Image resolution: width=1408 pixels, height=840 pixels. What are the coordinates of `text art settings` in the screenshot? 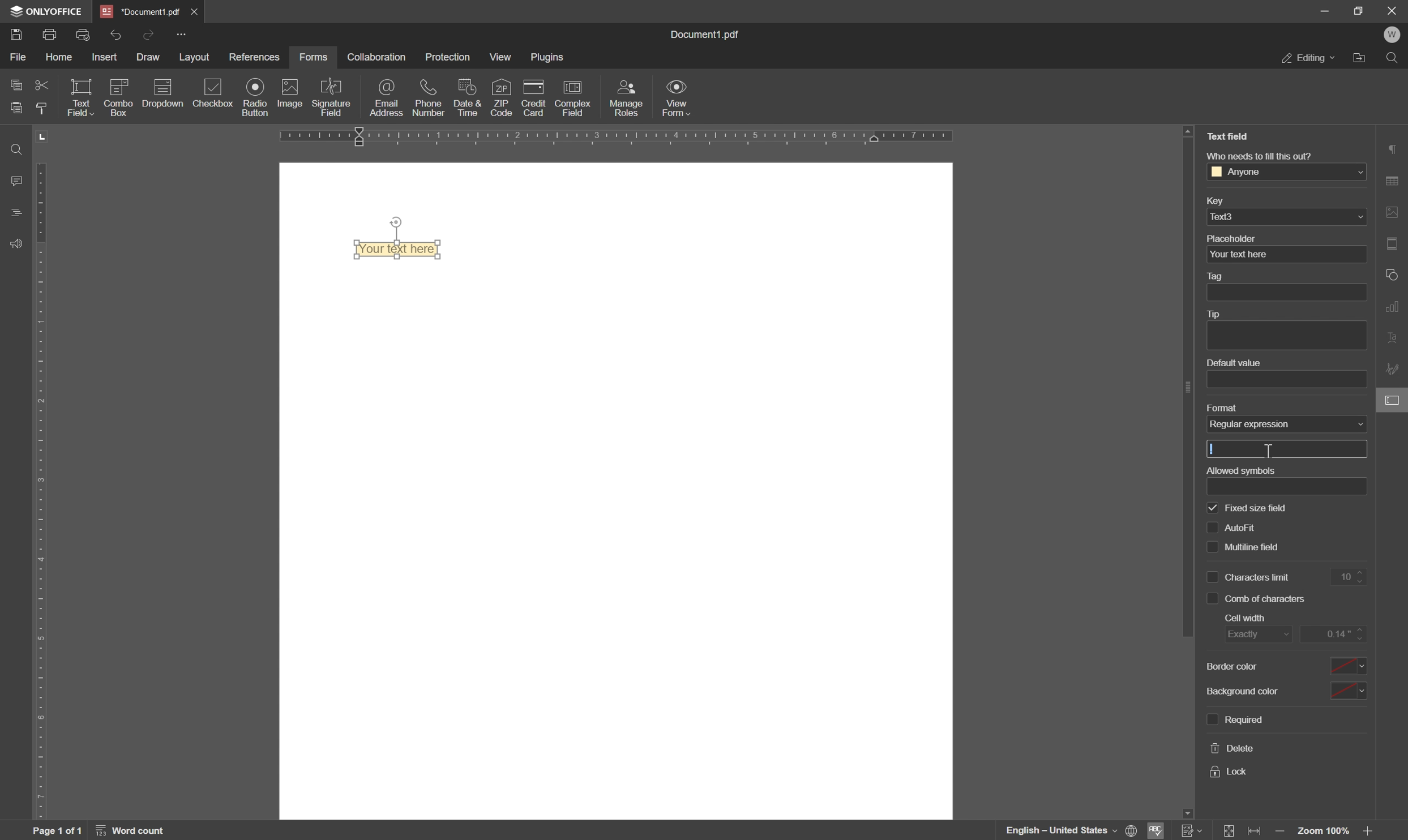 It's located at (1395, 340).